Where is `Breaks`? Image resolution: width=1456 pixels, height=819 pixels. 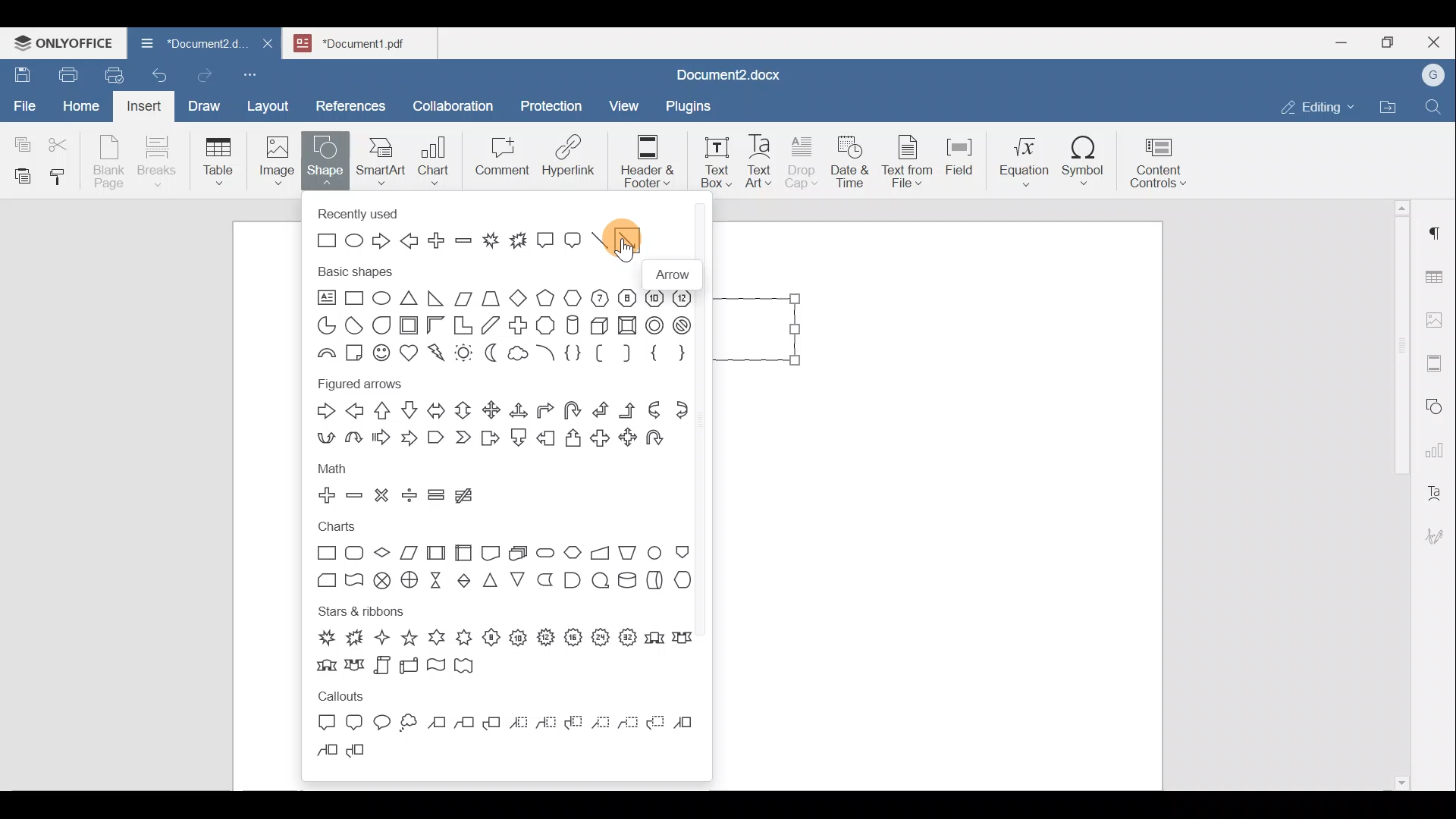
Breaks is located at coordinates (156, 162).